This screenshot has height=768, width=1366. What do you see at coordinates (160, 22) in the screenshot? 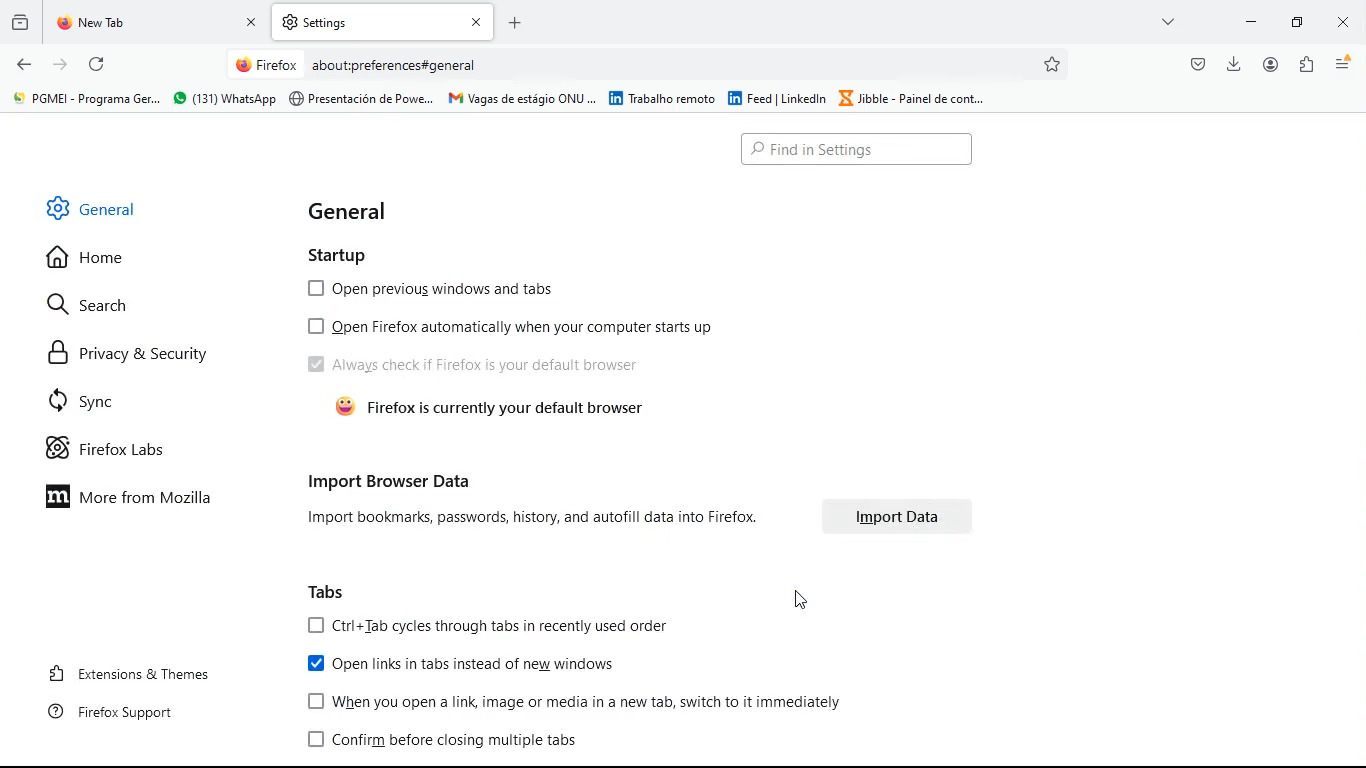
I see `tab` at bounding box center [160, 22].